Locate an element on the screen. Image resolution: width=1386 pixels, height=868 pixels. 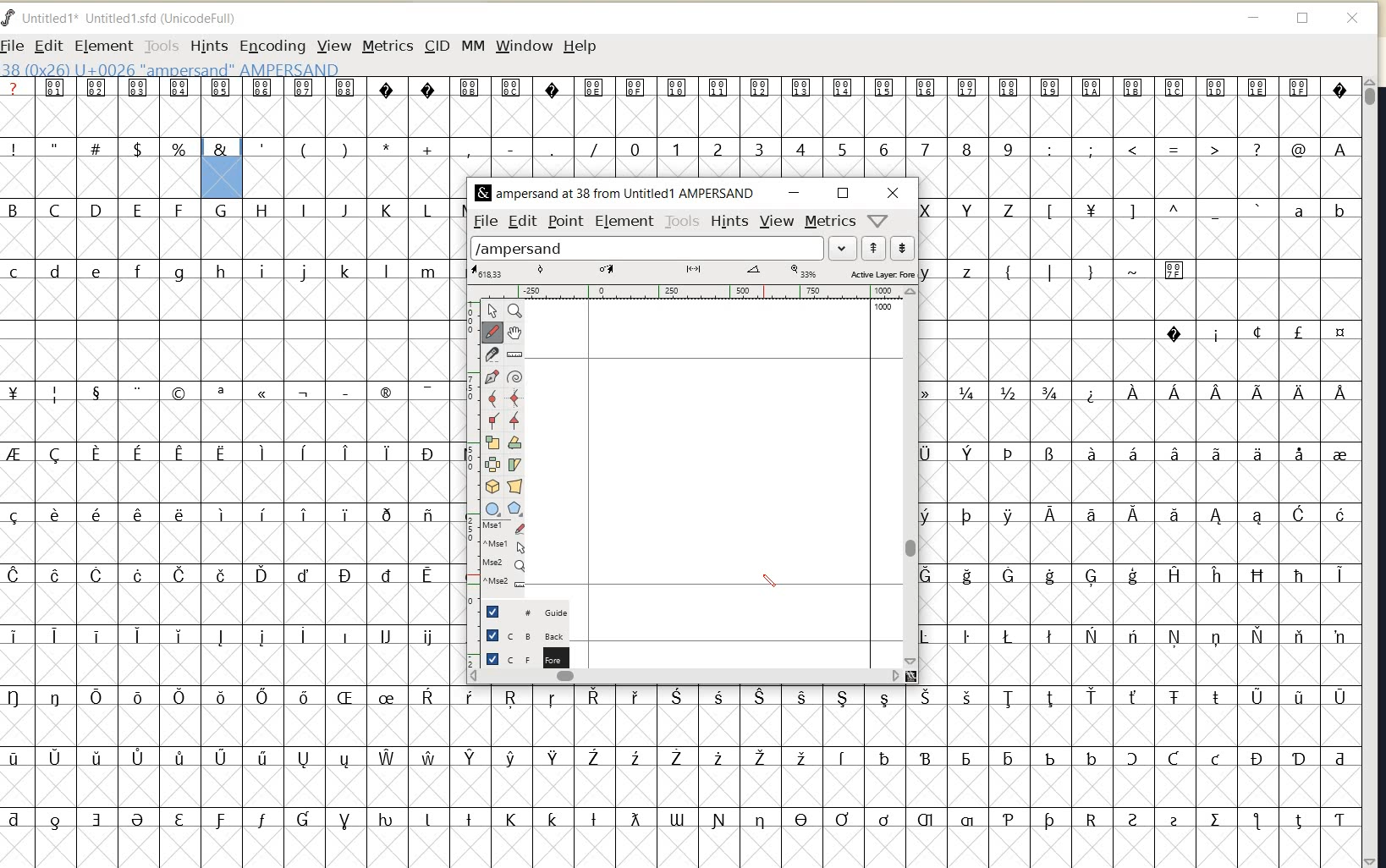
add a tangent point is located at coordinates (514, 420).